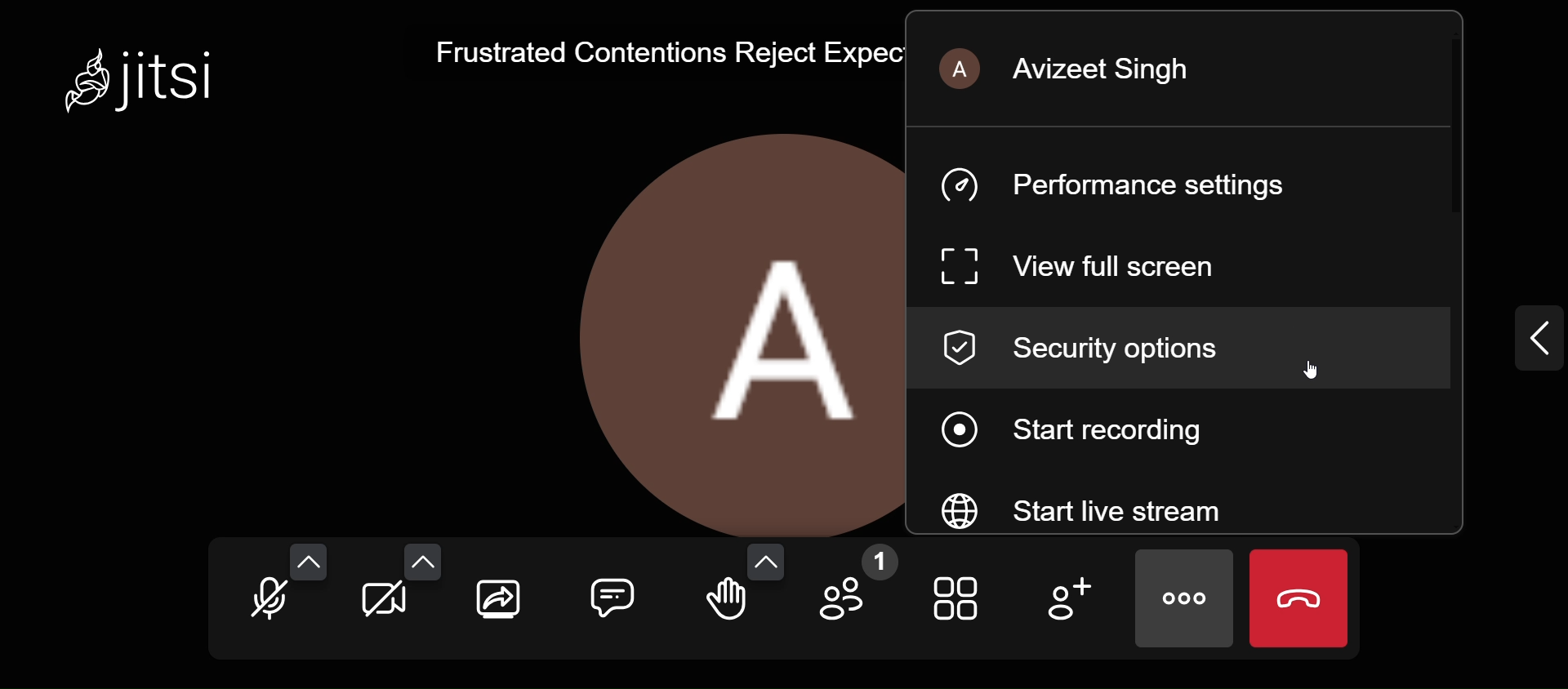  I want to click on raise your hand, so click(724, 606).